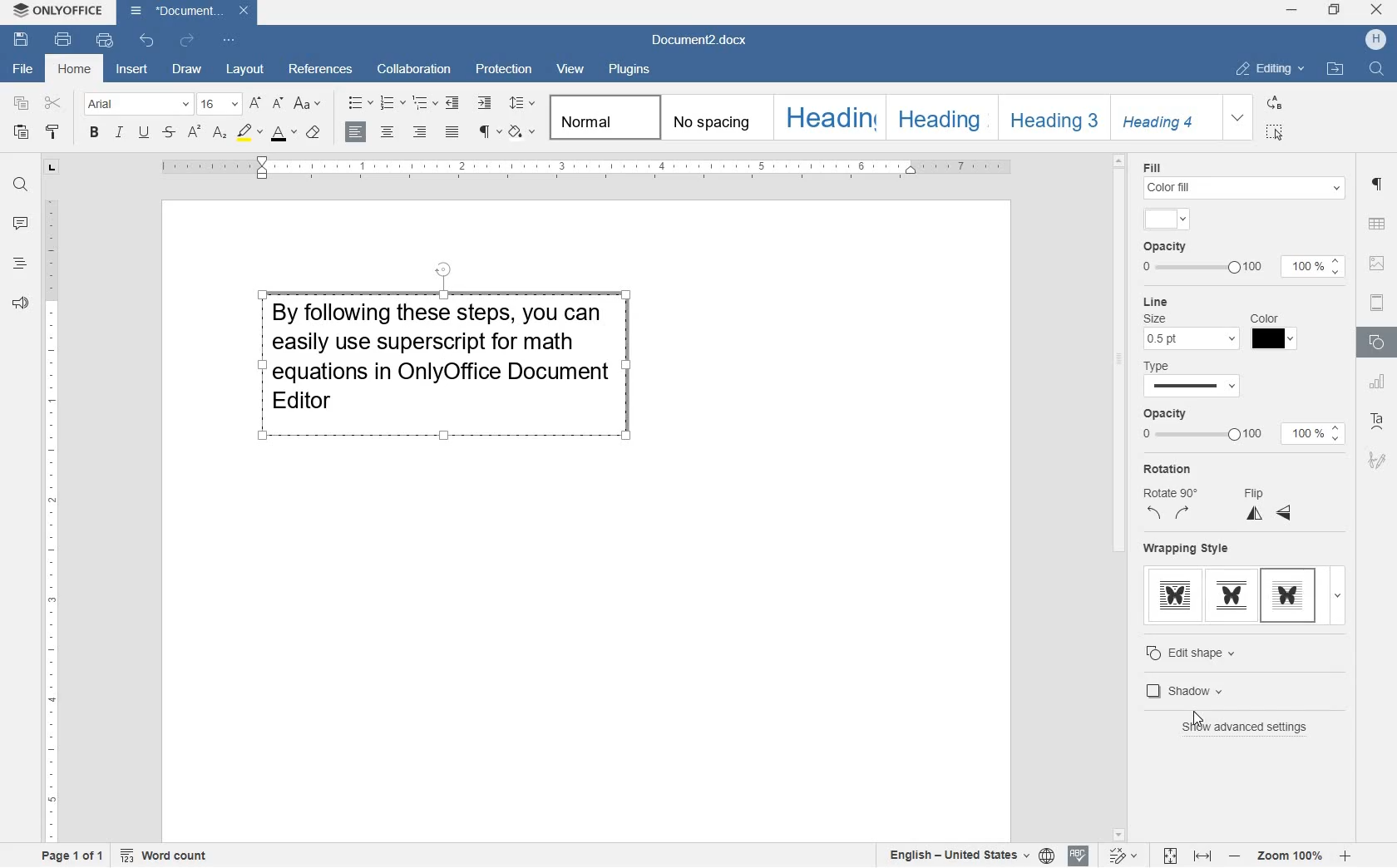 Image resolution: width=1397 pixels, height=868 pixels. I want to click on 100%, so click(1311, 435).